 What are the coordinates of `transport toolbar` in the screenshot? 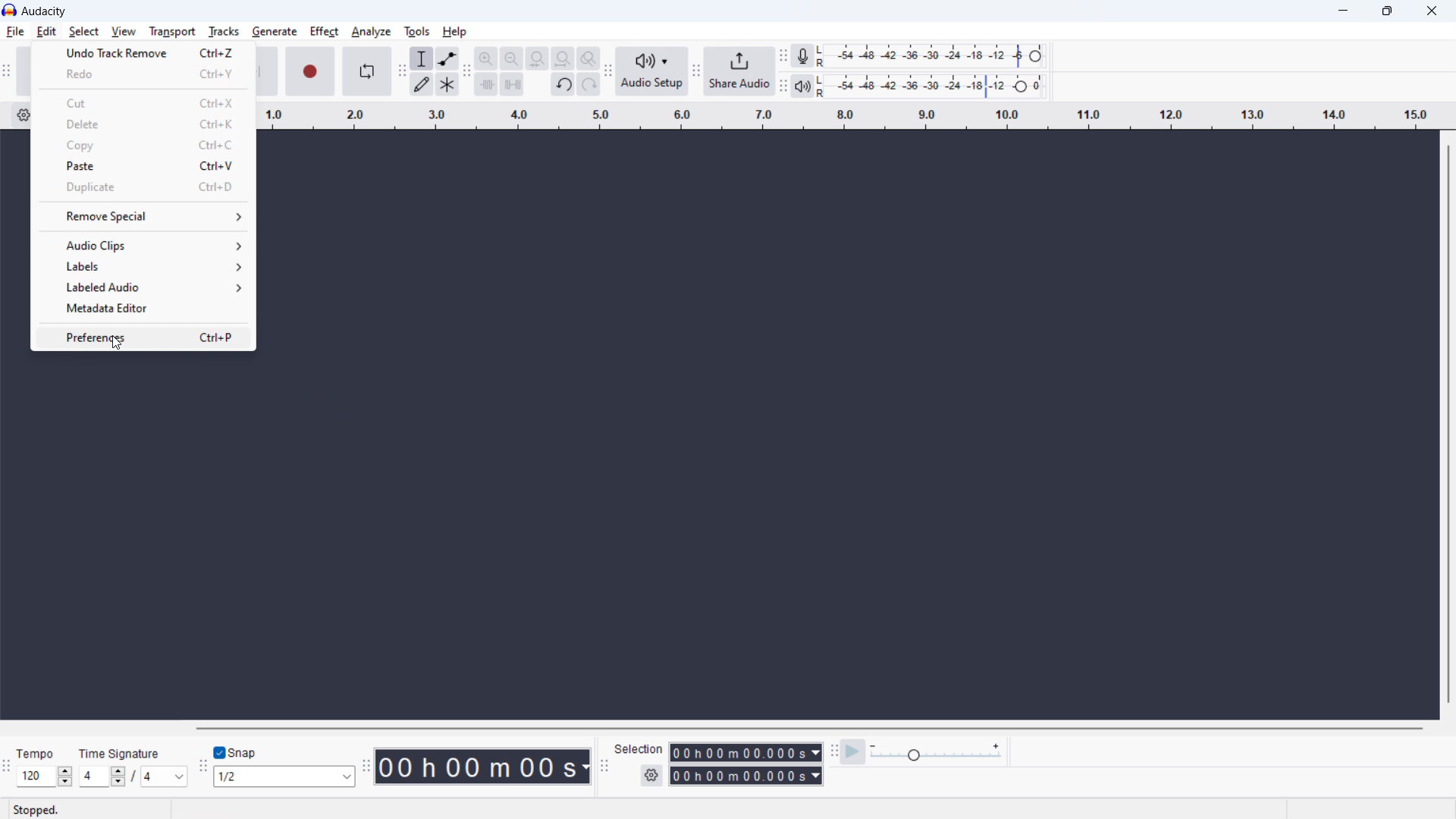 It's located at (7, 73).